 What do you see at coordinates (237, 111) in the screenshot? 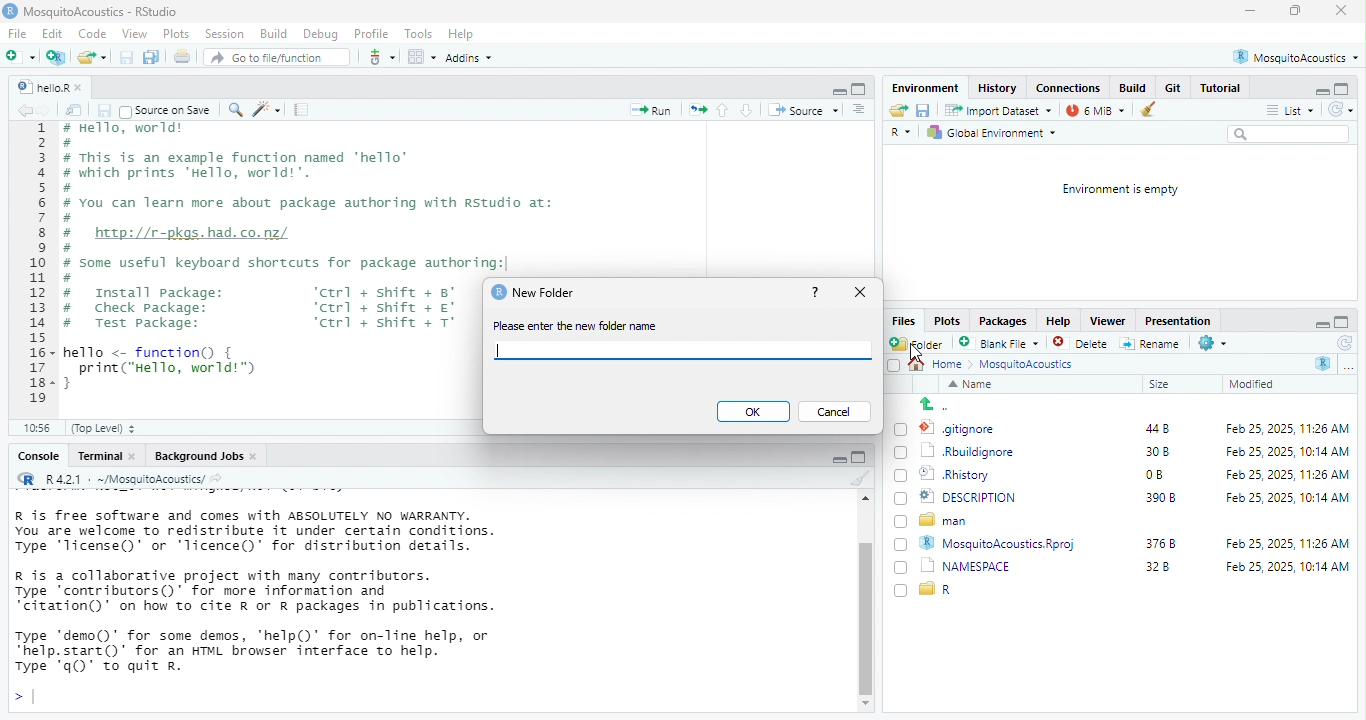
I see `’ find /replace` at bounding box center [237, 111].